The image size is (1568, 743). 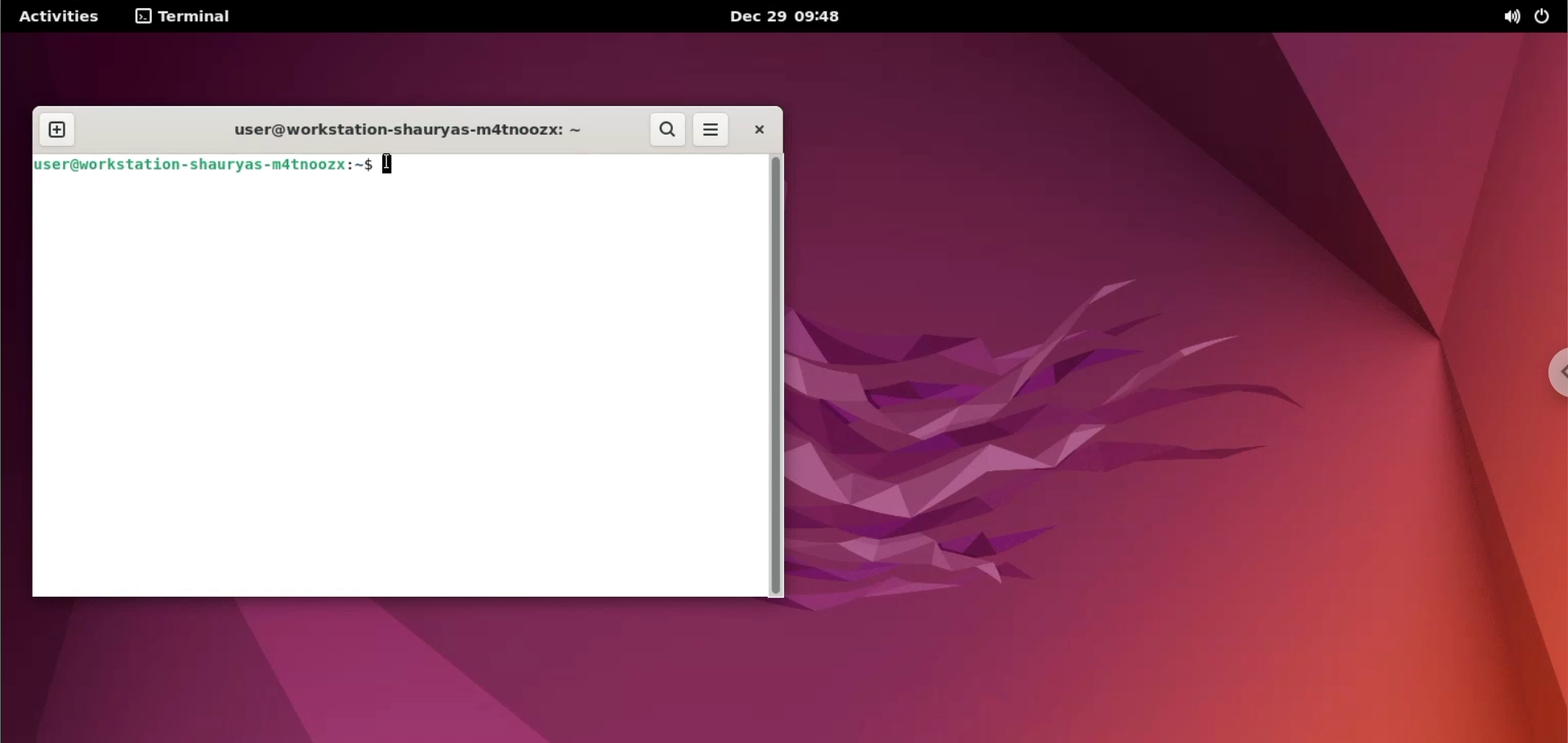 What do you see at coordinates (1548, 17) in the screenshot?
I see `power option` at bounding box center [1548, 17].